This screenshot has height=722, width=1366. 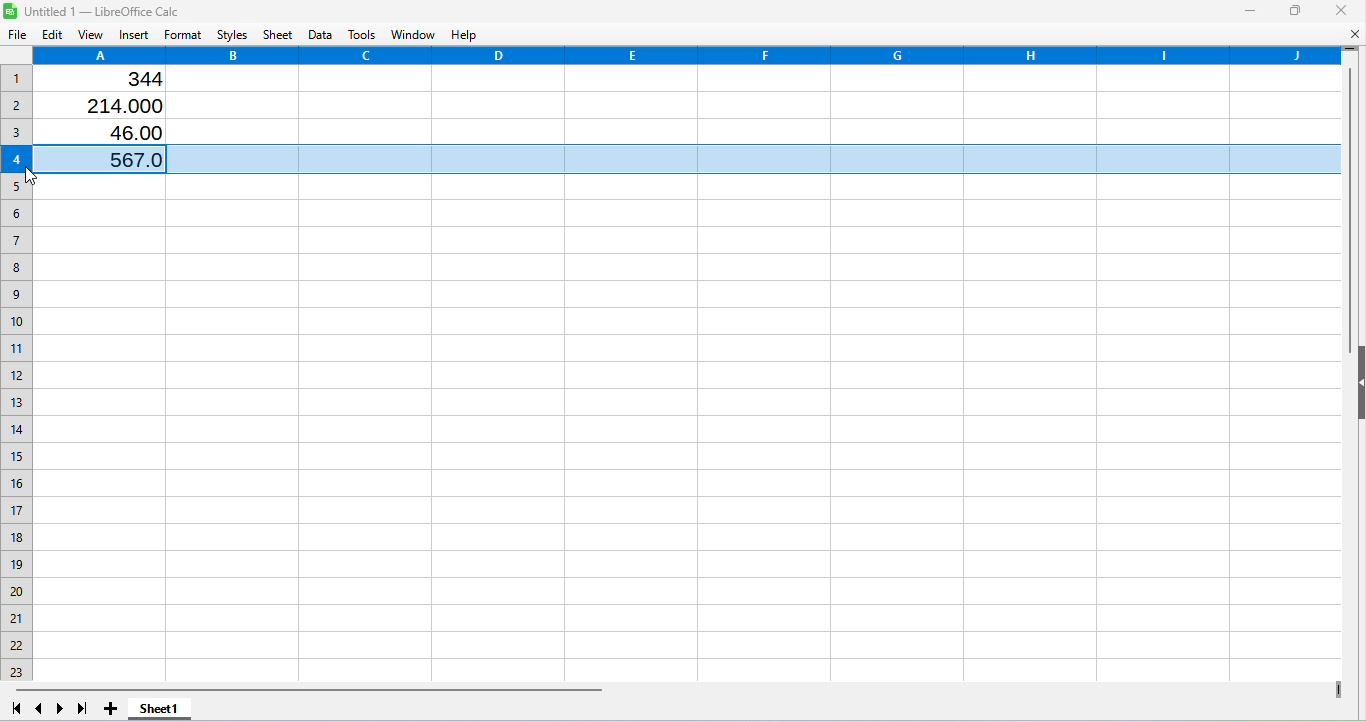 What do you see at coordinates (17, 368) in the screenshot?
I see `Rows` at bounding box center [17, 368].